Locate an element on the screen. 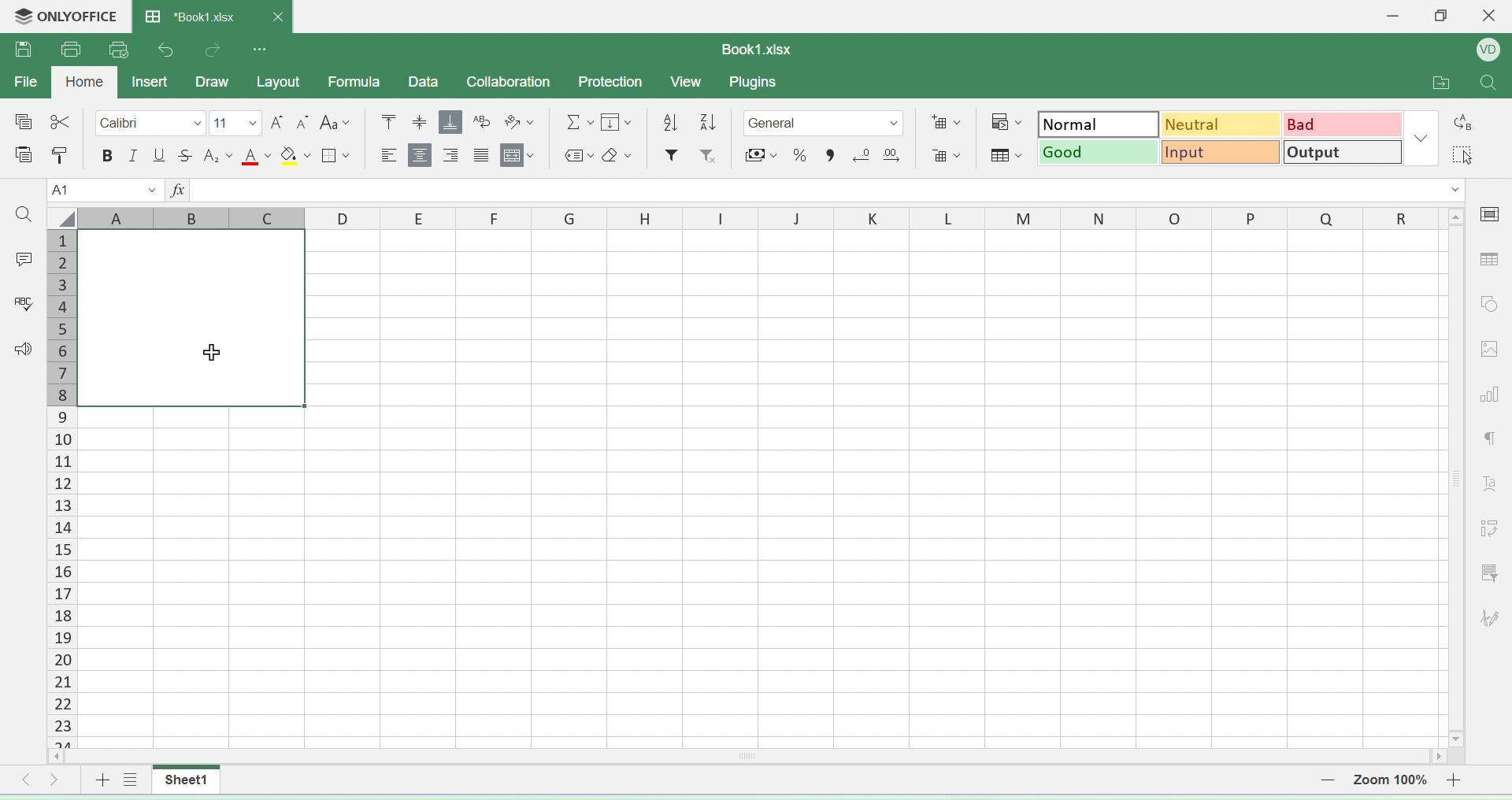 This screenshot has width=1512, height=800. minimise is located at coordinates (1397, 20).